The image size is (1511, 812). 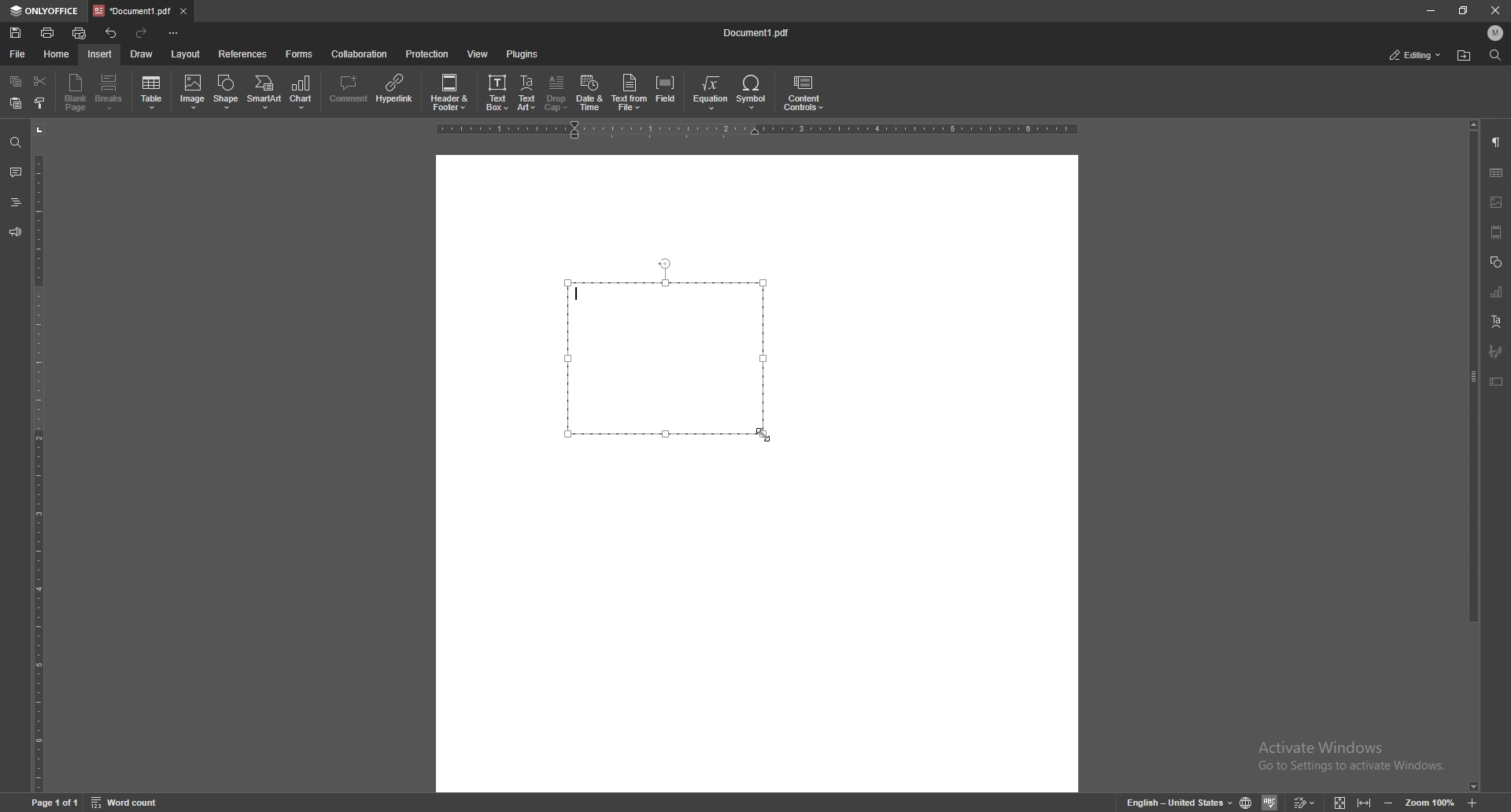 I want to click on drop cap, so click(x=556, y=92).